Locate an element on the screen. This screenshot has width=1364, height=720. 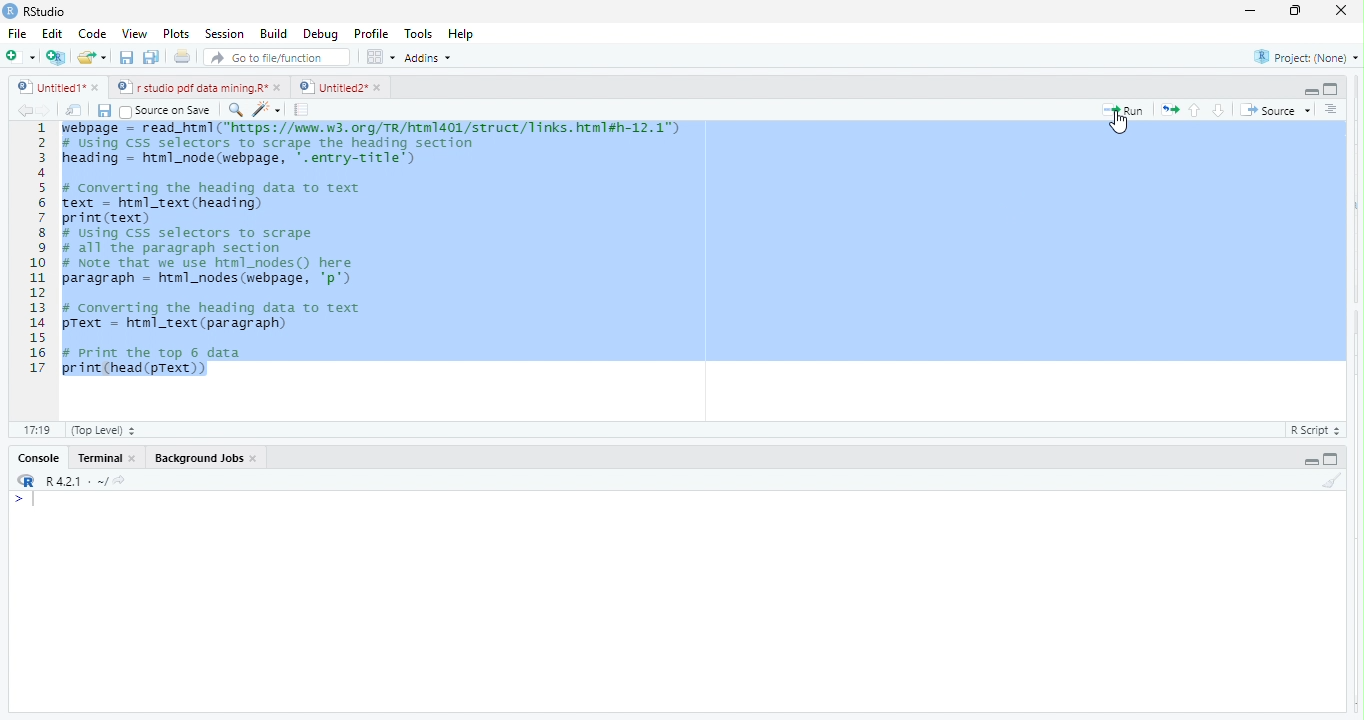
hide console is located at coordinates (1329, 459).